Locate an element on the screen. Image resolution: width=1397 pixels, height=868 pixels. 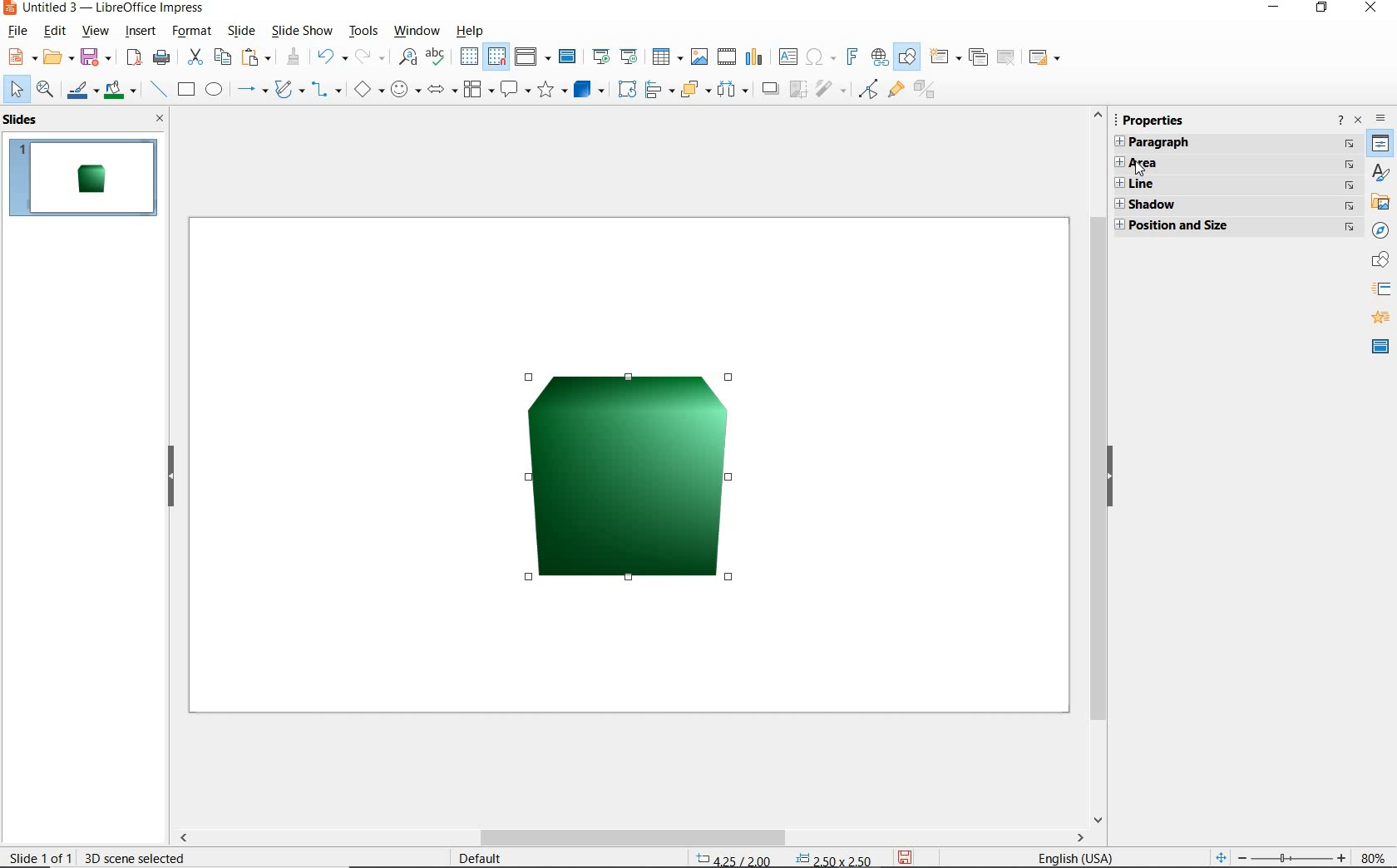
snap to grid is located at coordinates (497, 57).